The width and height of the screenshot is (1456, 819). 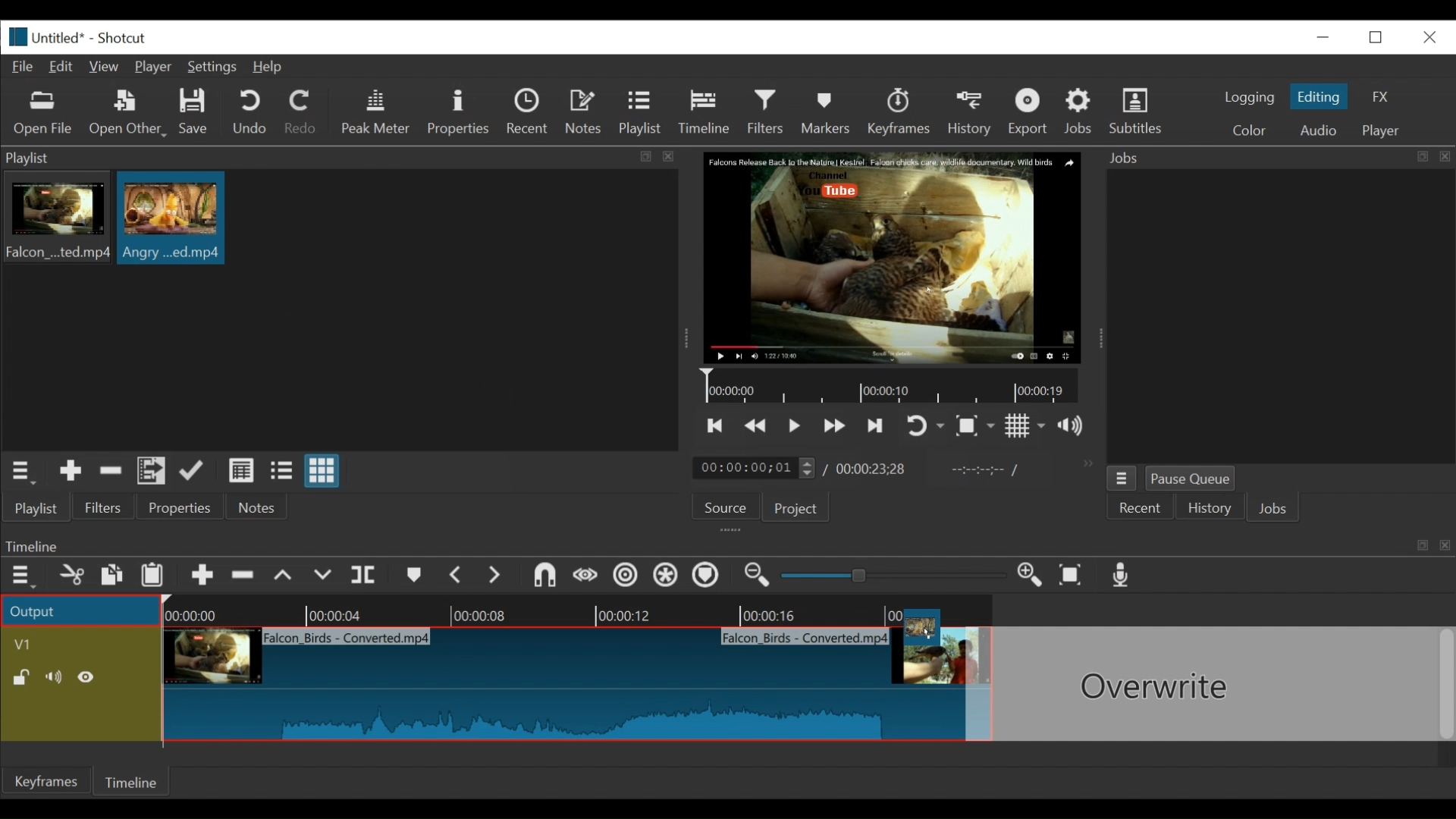 What do you see at coordinates (894, 387) in the screenshot?
I see `Timeline` at bounding box center [894, 387].